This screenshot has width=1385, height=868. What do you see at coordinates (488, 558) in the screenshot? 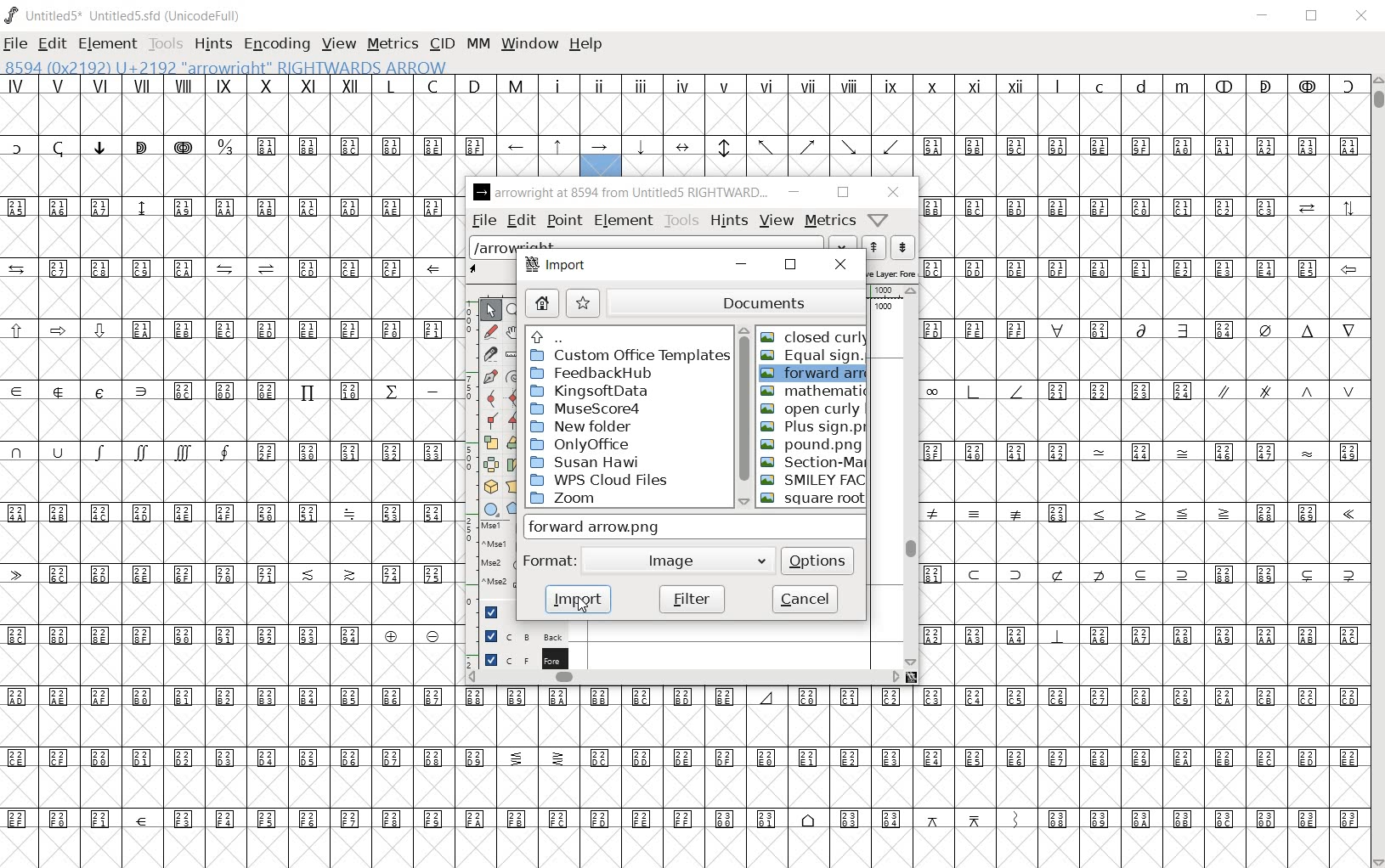
I see `mse1 mse1 mse2 mse2` at bounding box center [488, 558].